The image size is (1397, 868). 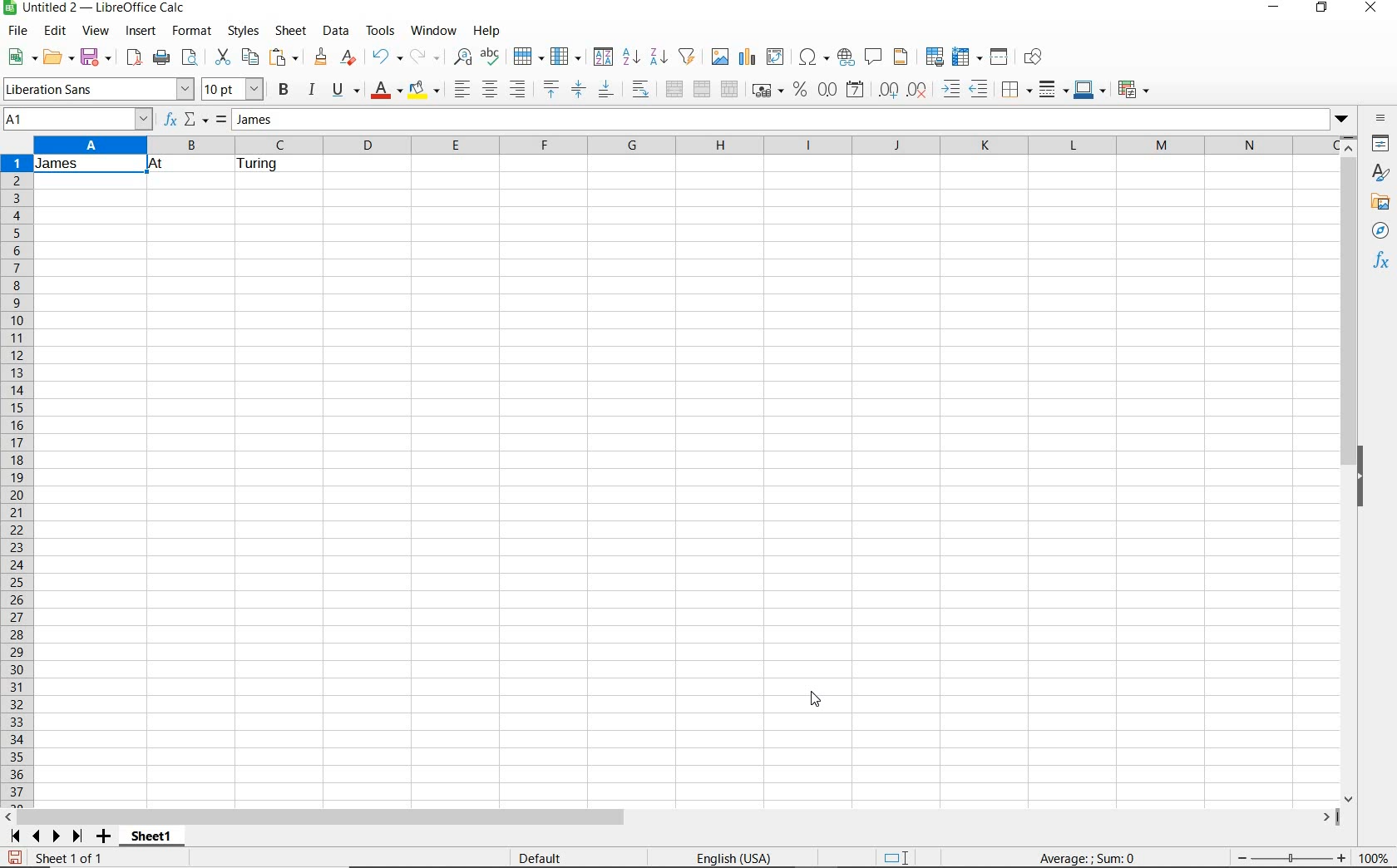 I want to click on insert chart, so click(x=748, y=57).